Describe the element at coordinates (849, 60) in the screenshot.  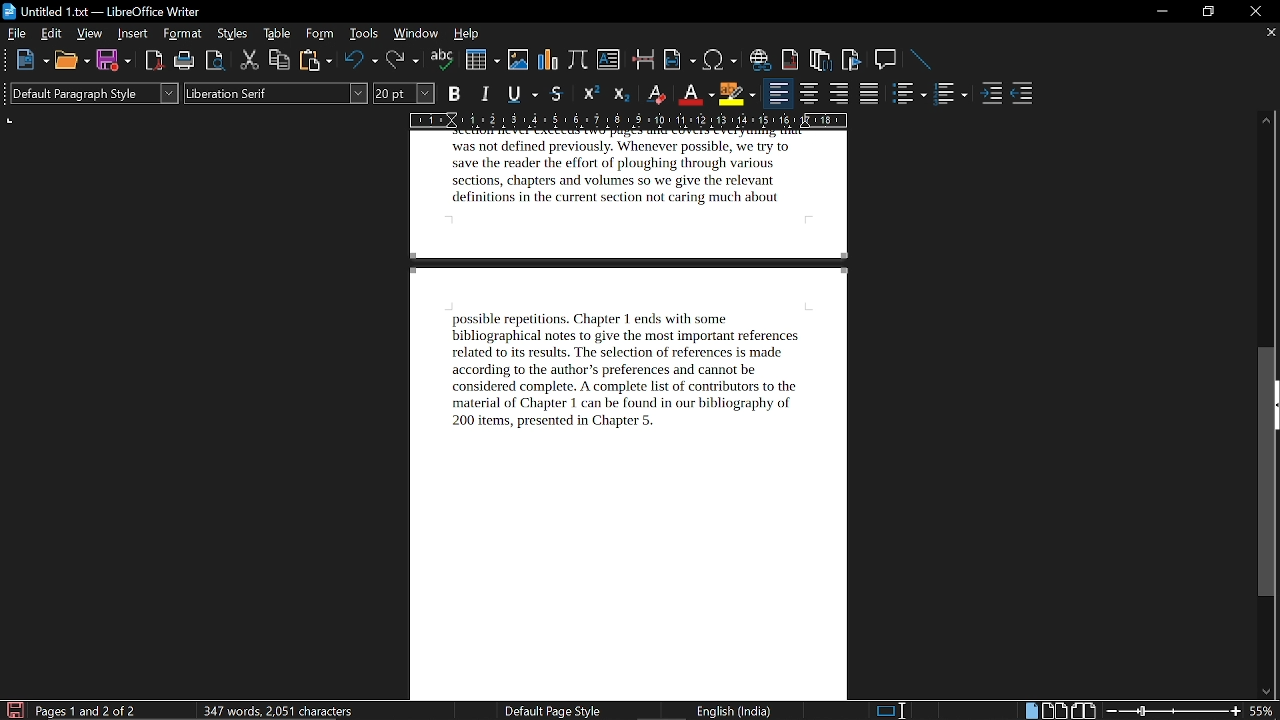
I see `insert bibliography` at that location.